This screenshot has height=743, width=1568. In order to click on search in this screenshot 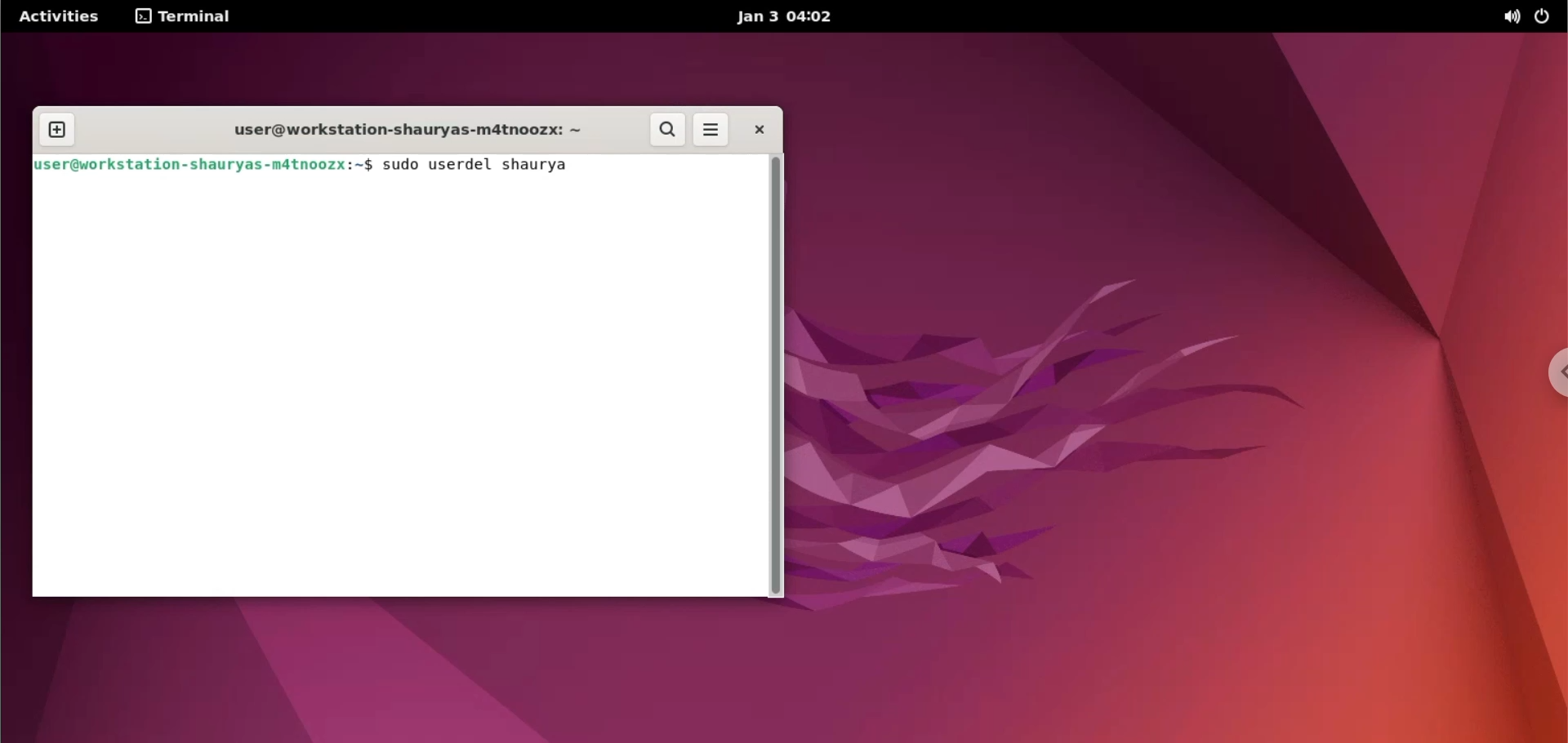, I will do `click(667, 130)`.